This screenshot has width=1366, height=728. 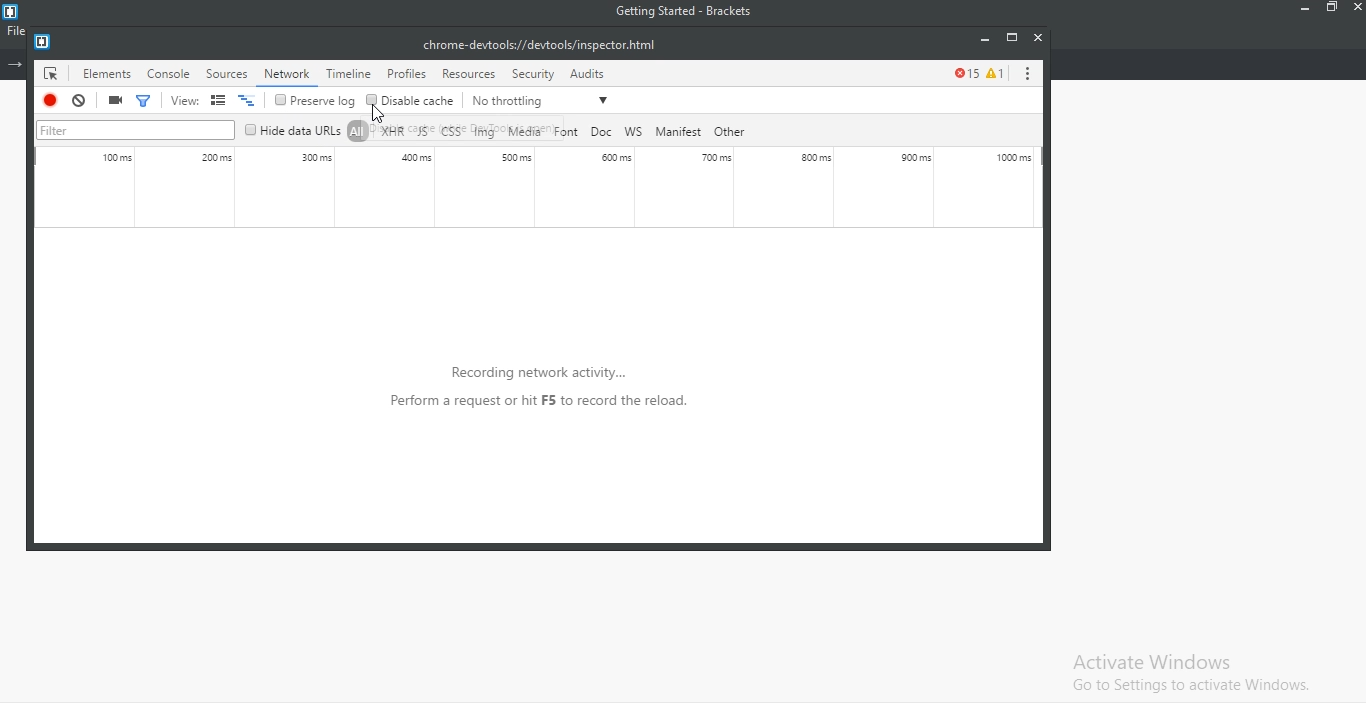 What do you see at coordinates (169, 73) in the screenshot?
I see `console` at bounding box center [169, 73].